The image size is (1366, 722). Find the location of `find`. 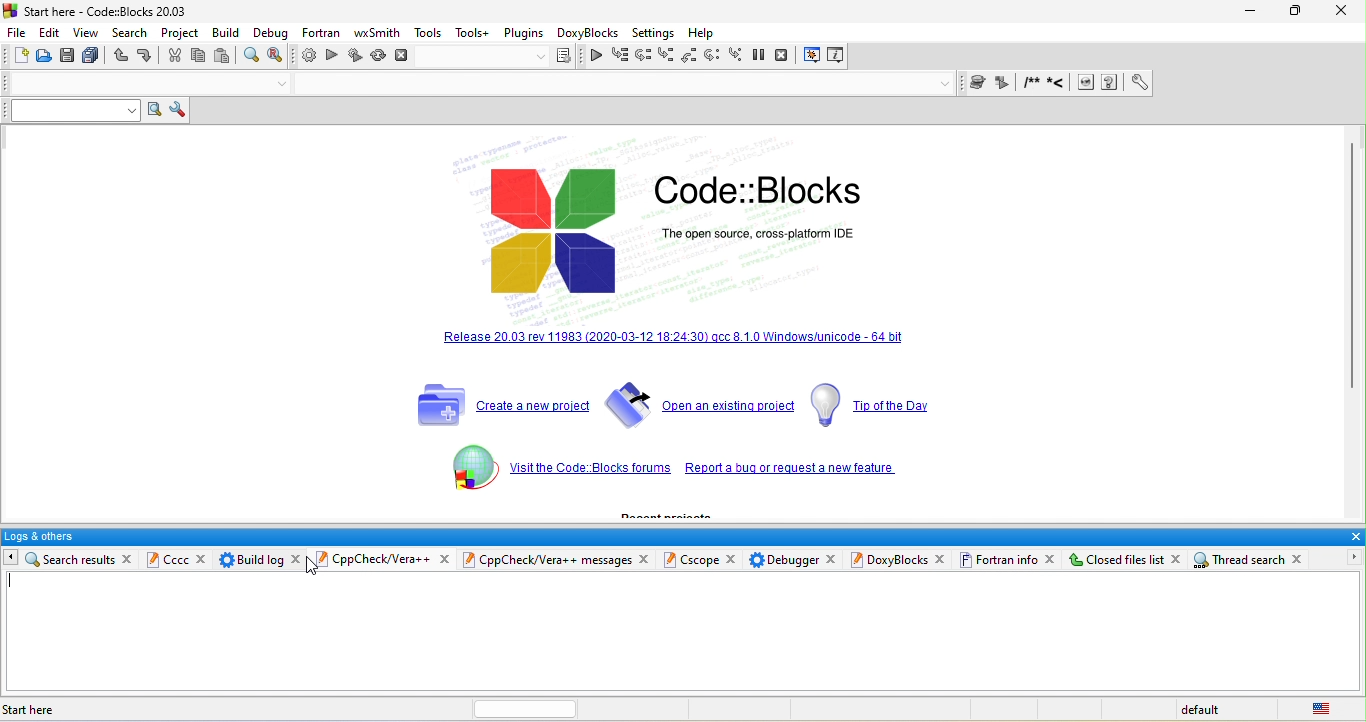

find is located at coordinates (251, 57).